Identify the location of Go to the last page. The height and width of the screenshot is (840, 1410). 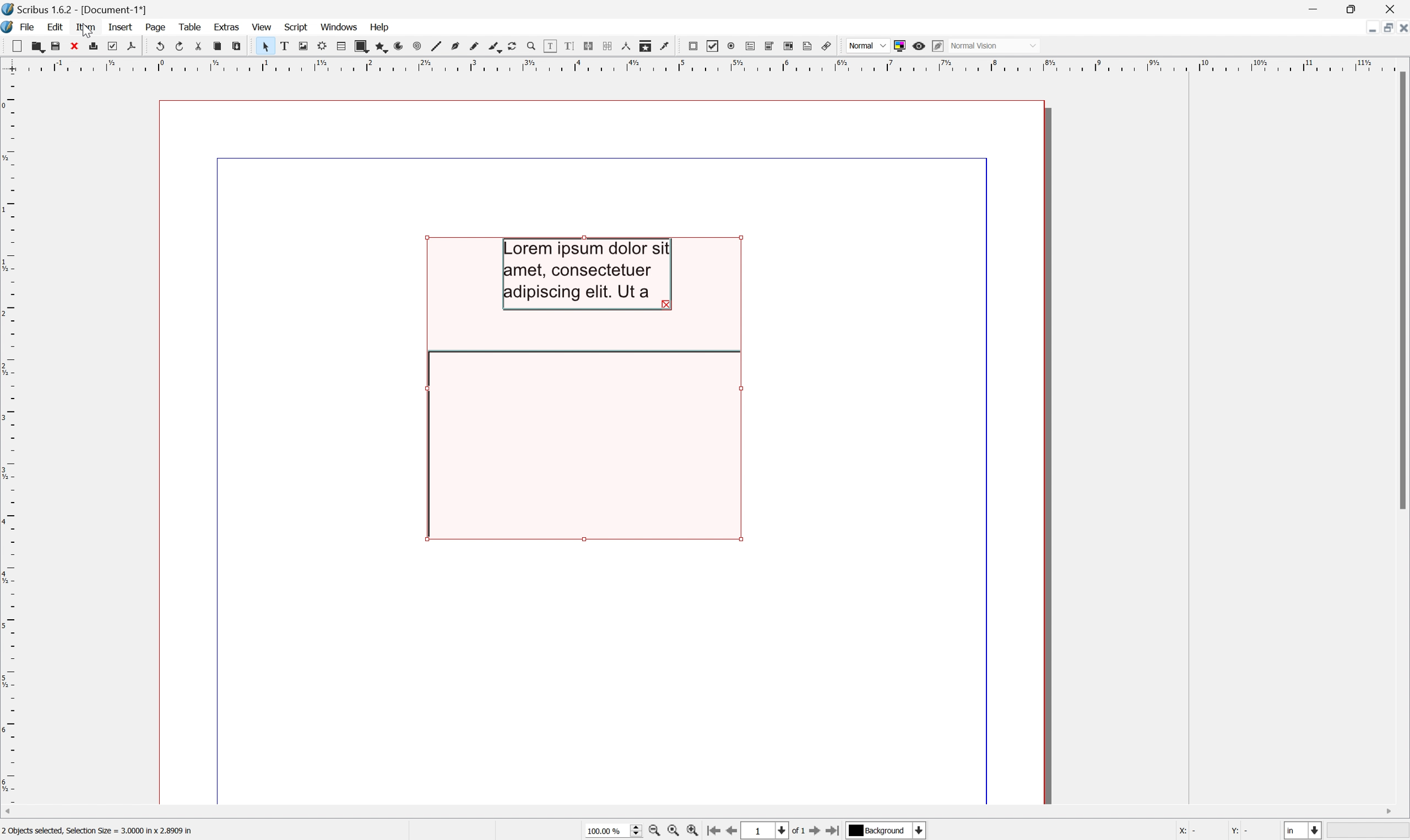
(836, 831).